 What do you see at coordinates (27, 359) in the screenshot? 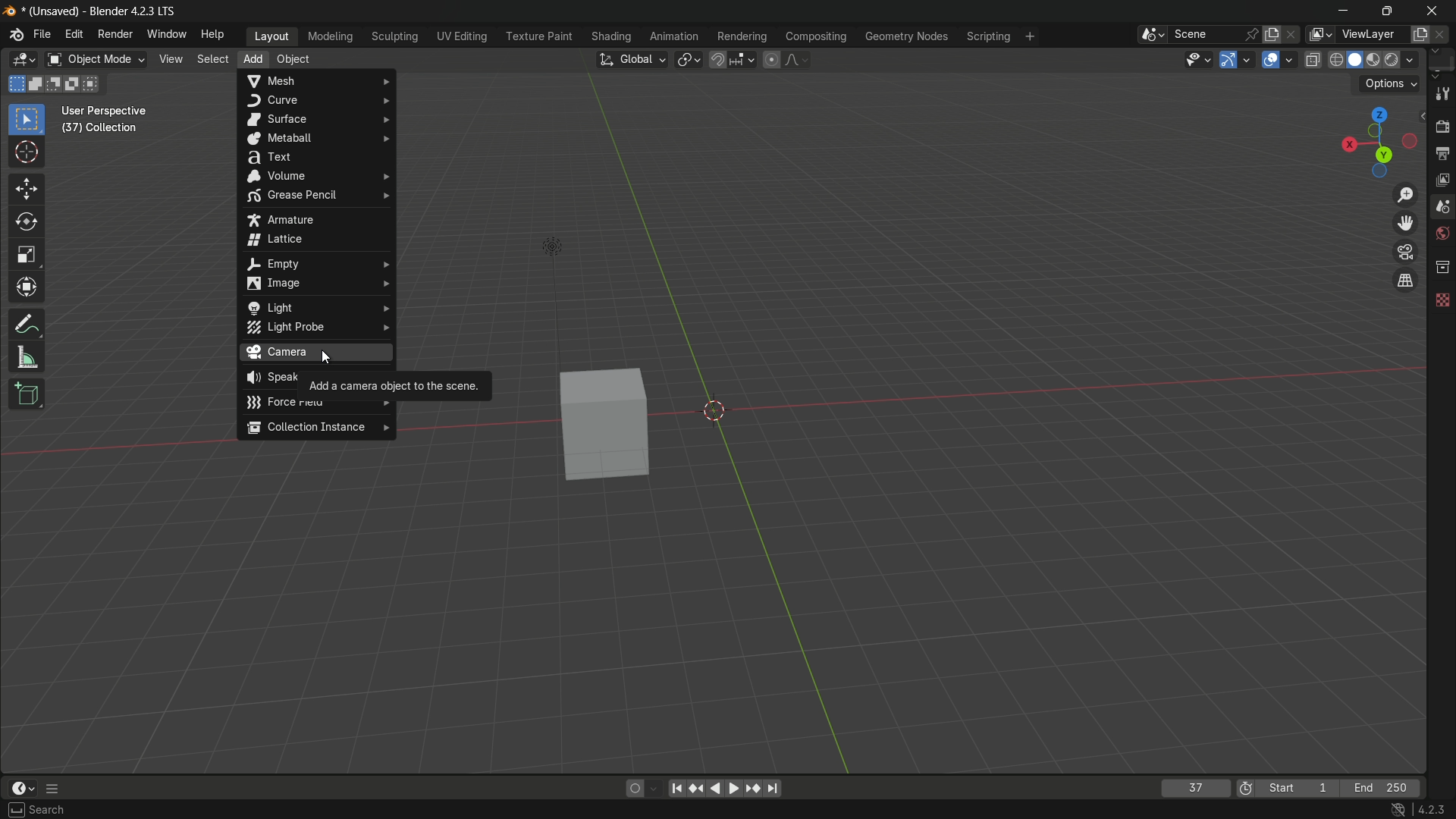
I see `measure` at bounding box center [27, 359].